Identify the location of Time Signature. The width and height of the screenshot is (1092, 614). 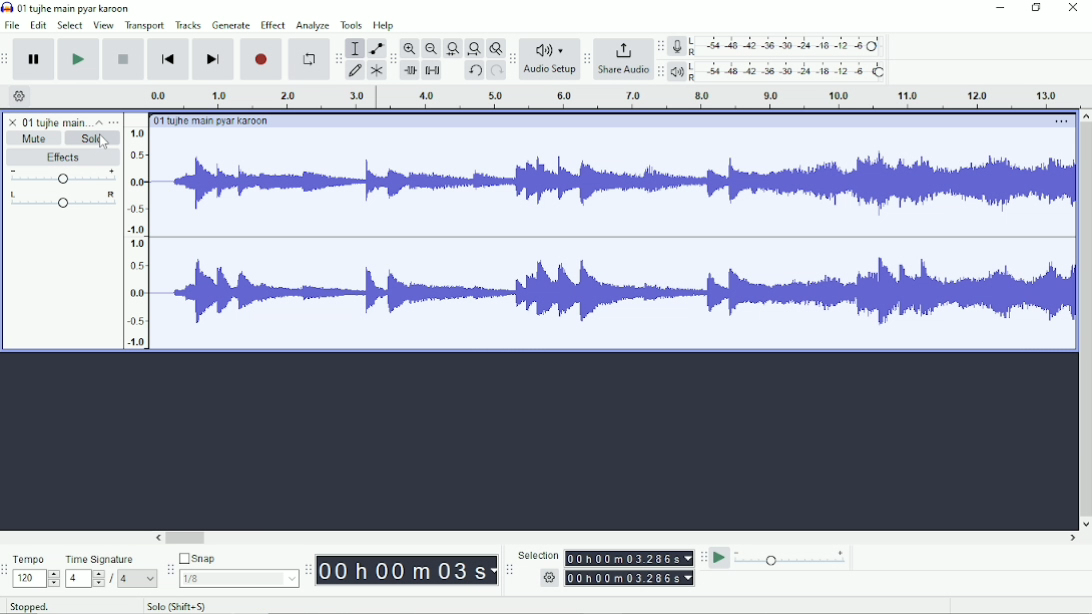
(111, 559).